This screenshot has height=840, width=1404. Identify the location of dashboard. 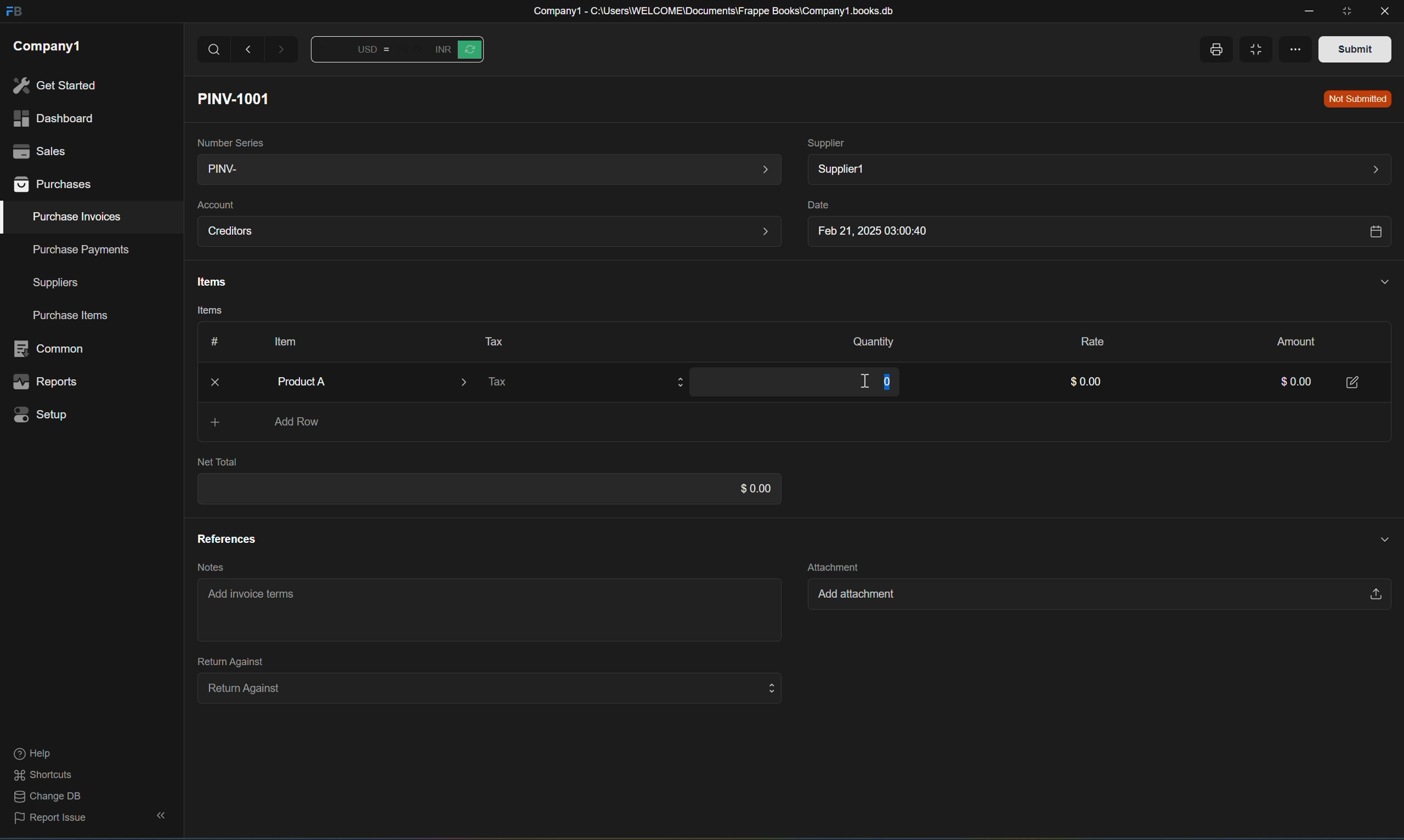
(52, 119).